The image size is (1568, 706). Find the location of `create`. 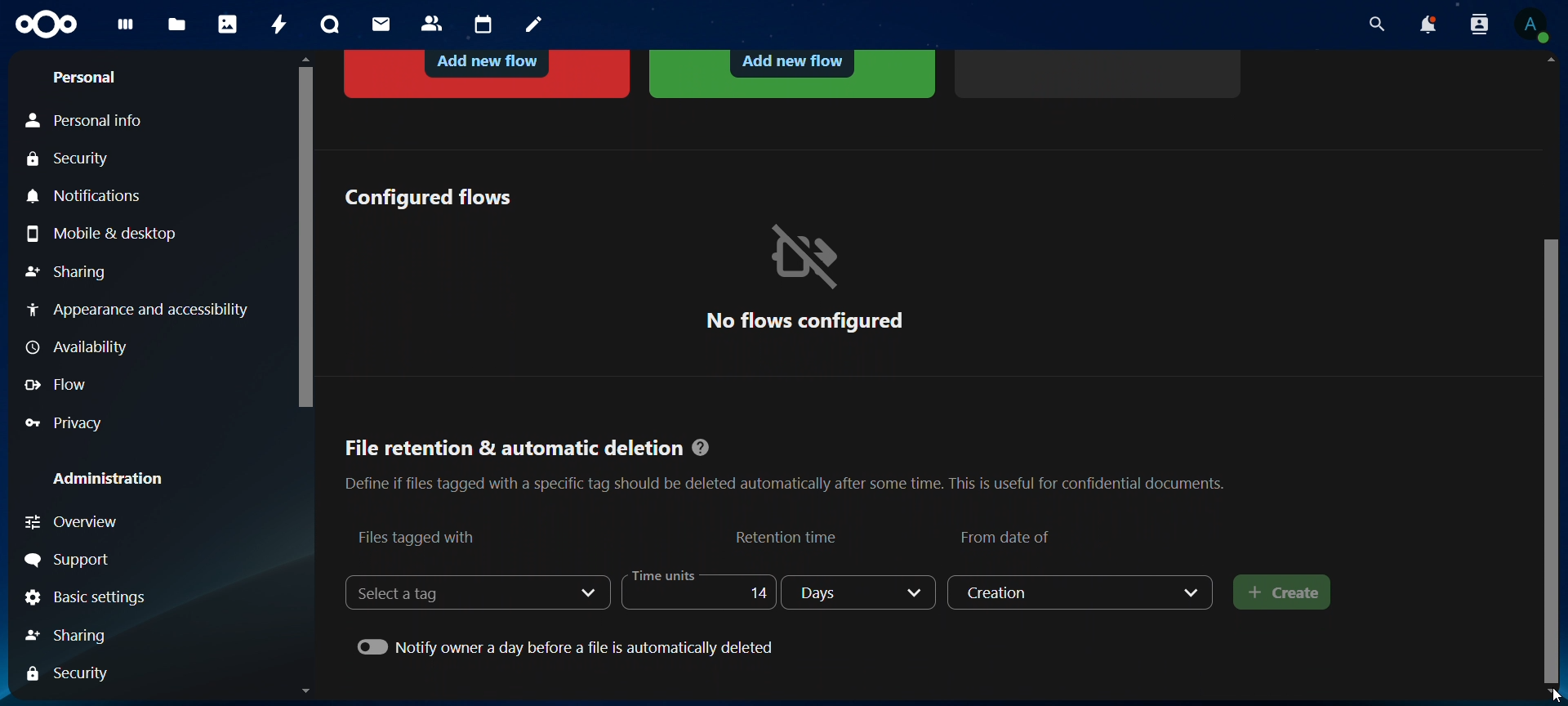

create is located at coordinates (1283, 594).